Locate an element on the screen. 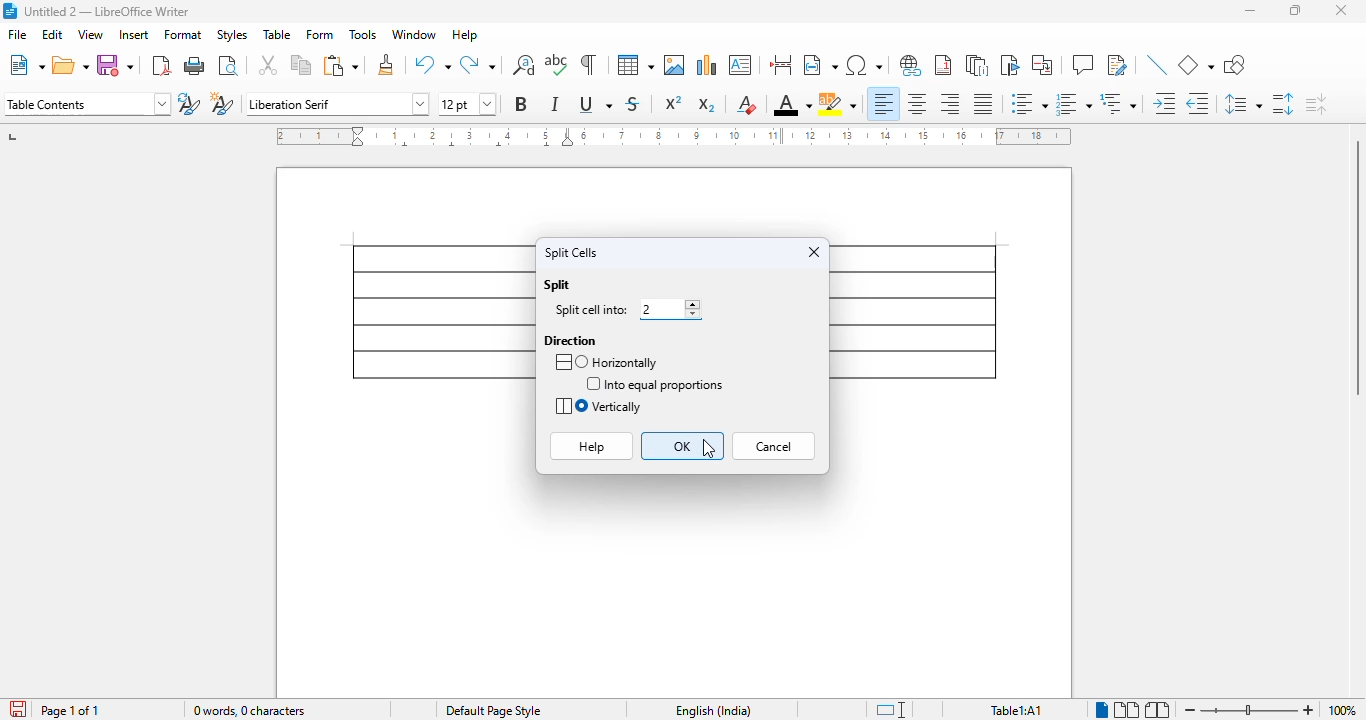 The image size is (1366, 720). decrease indent is located at coordinates (1197, 103).